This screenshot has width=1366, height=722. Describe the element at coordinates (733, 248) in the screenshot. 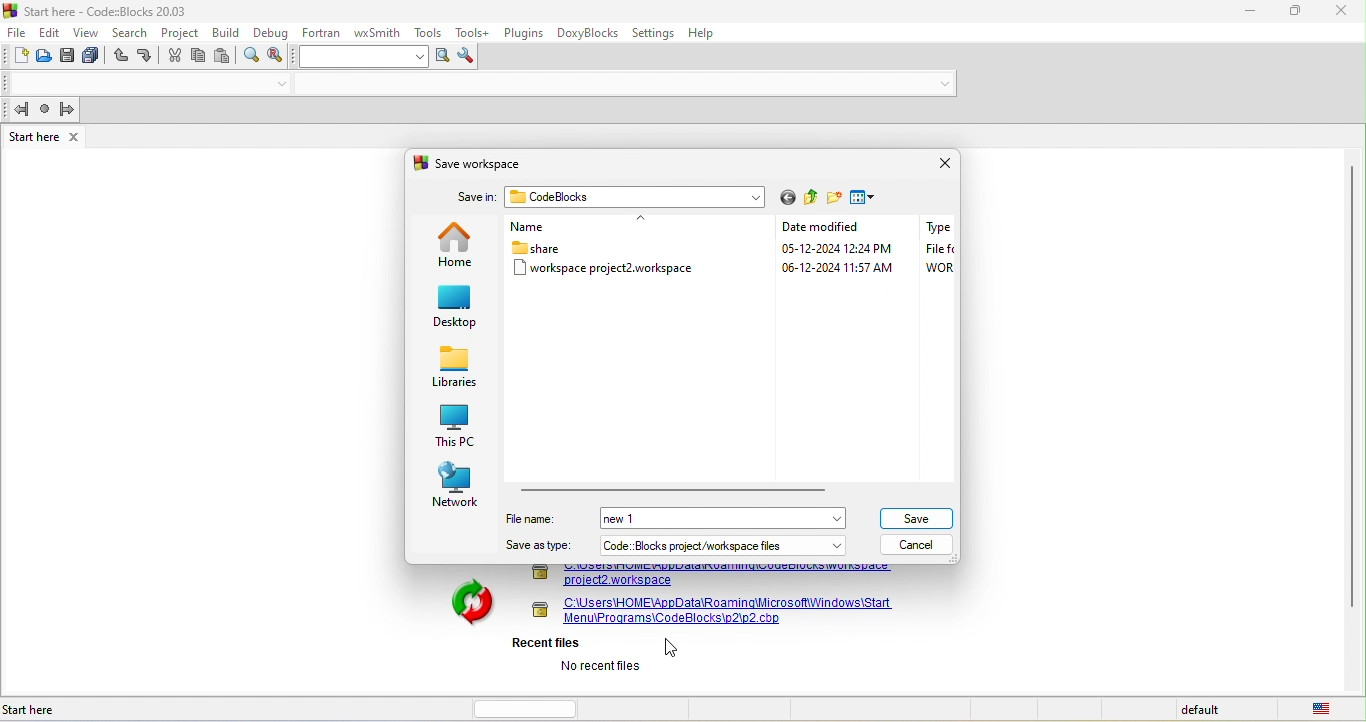

I see `share 05-12-2024 12:24 PM File` at that location.